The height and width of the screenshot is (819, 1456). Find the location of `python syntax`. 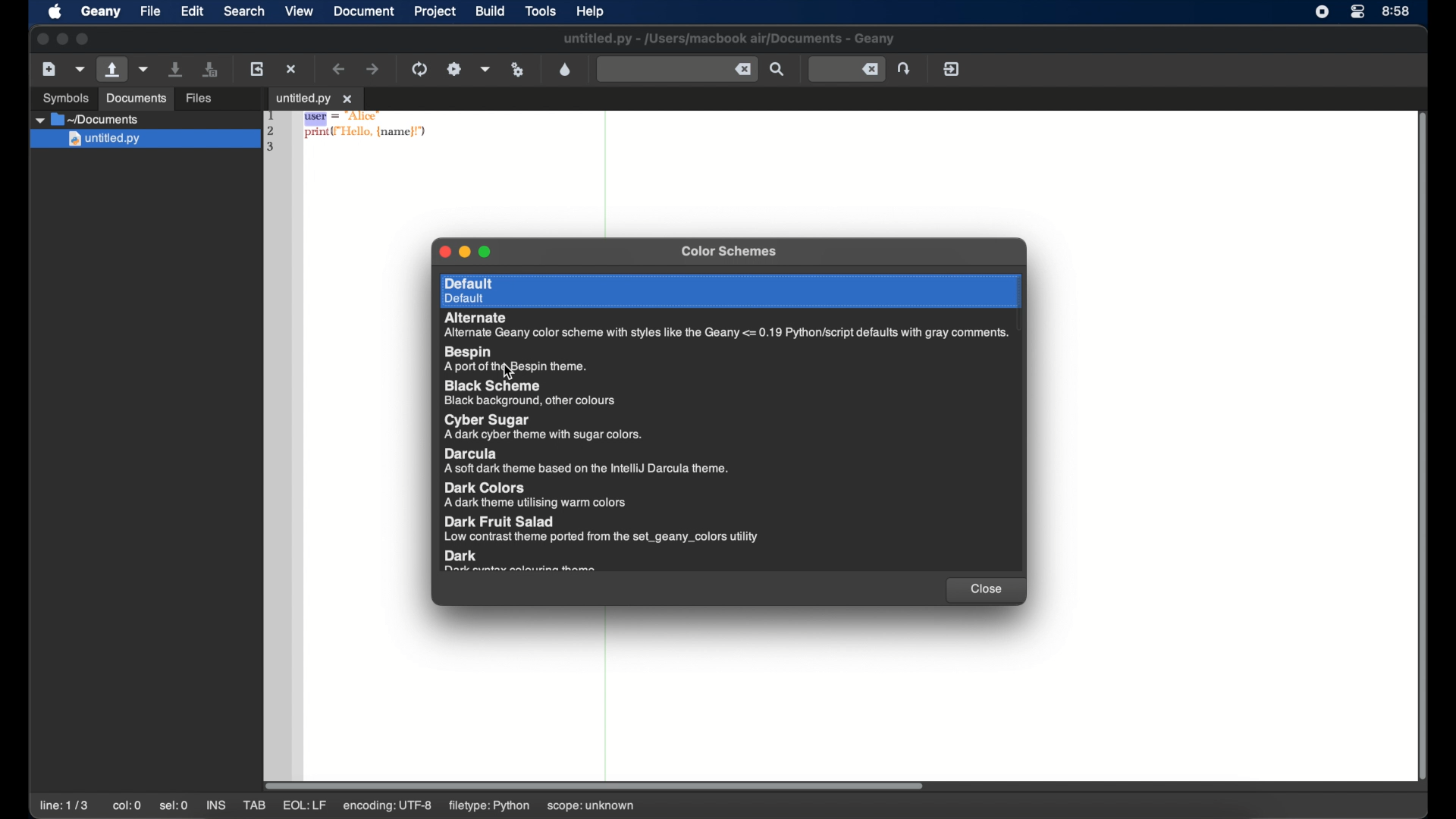

python syntax is located at coordinates (350, 133).